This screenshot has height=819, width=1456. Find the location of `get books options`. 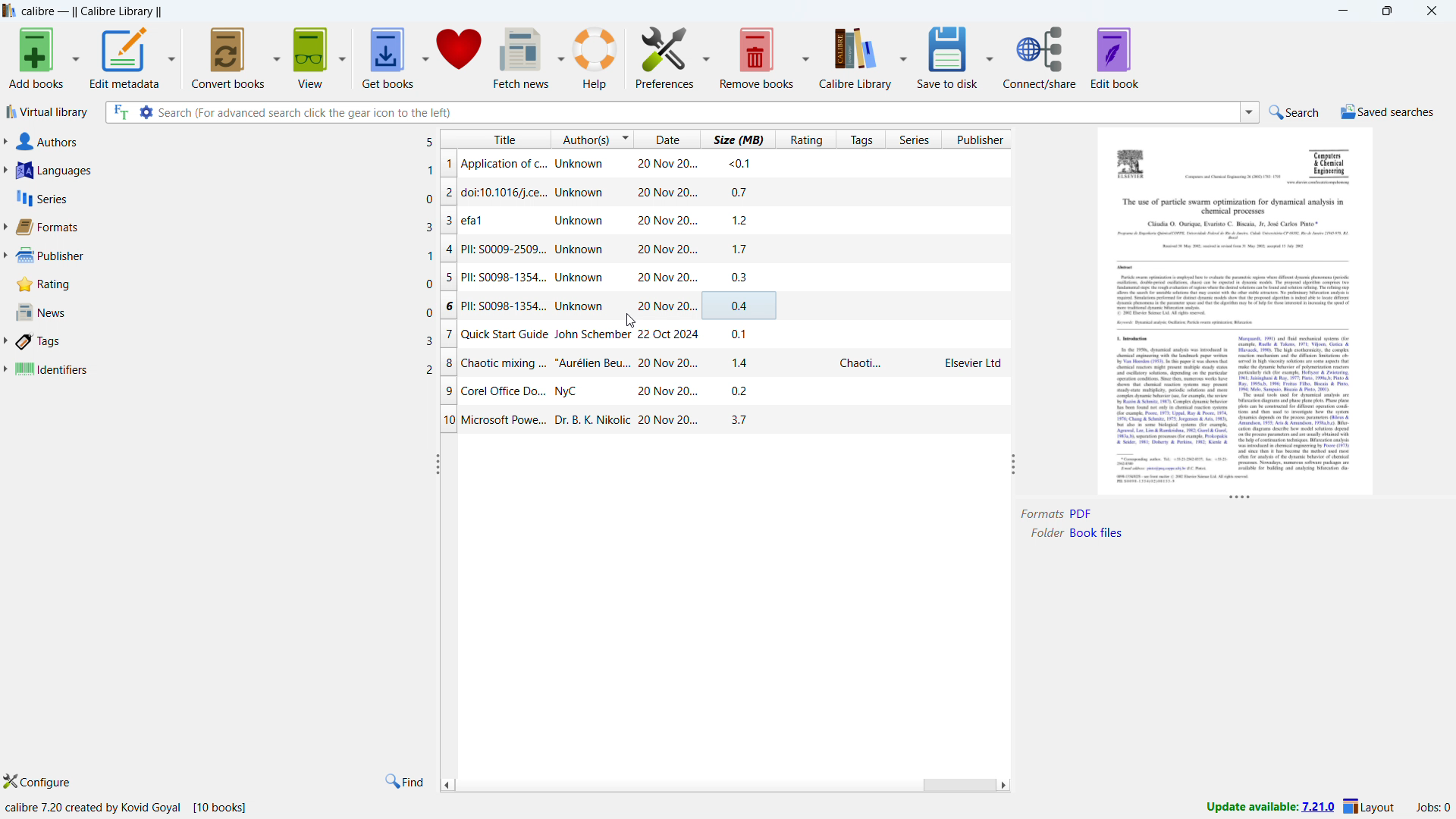

get books options is located at coordinates (424, 56).